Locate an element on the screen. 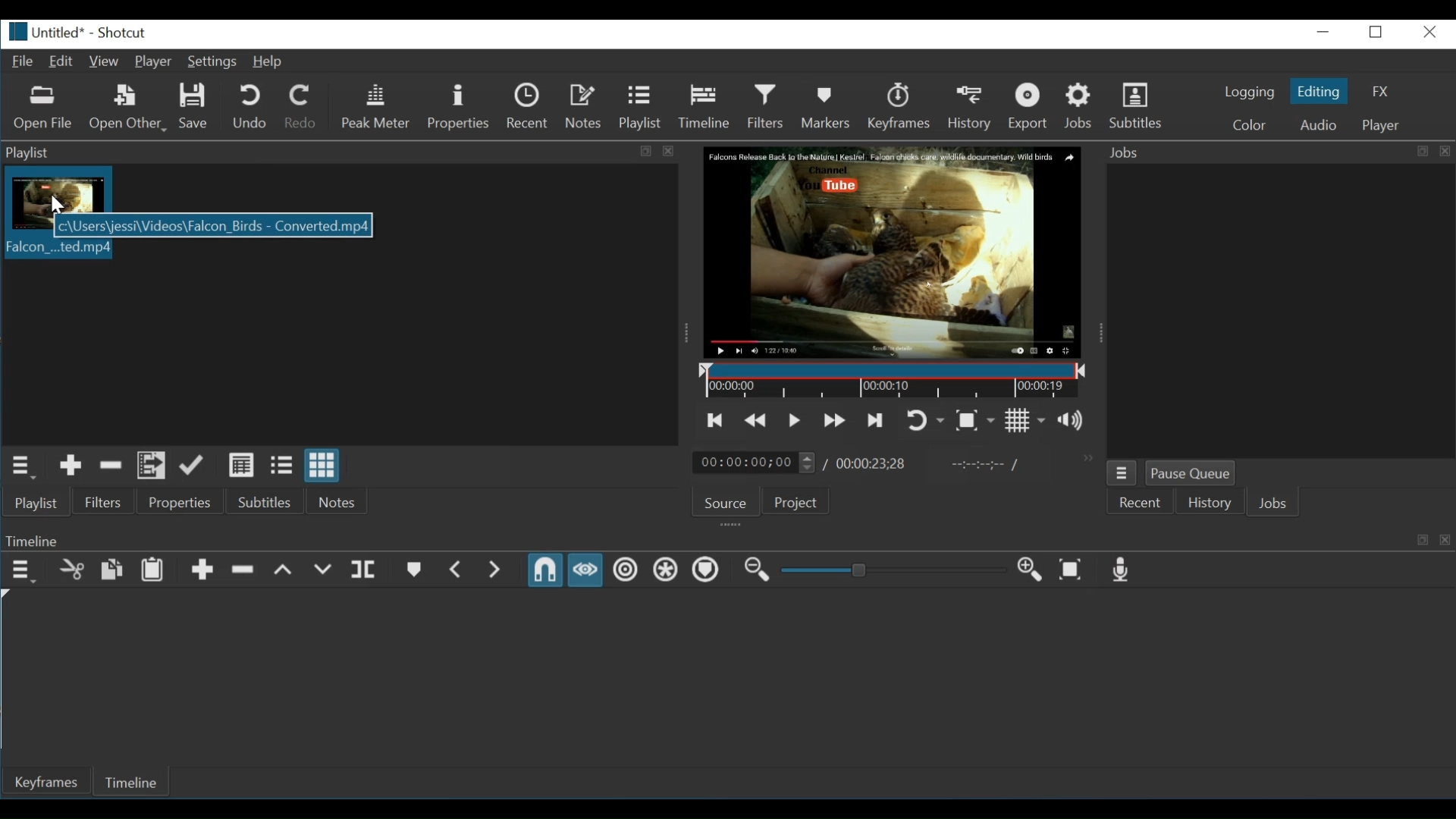 Image resolution: width=1456 pixels, height=819 pixels. Previous marker is located at coordinates (458, 570).